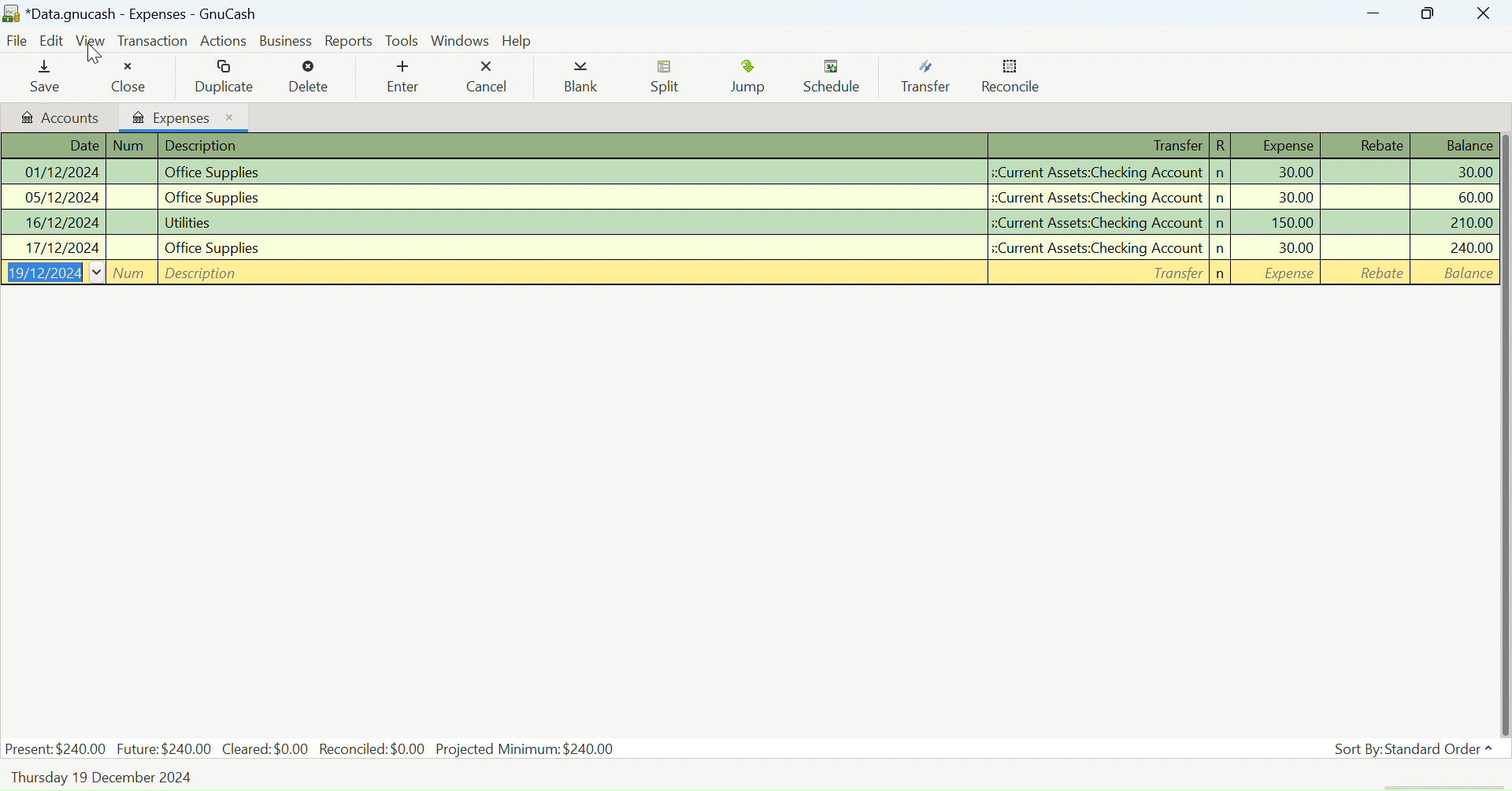 The image size is (1512, 791). I want to click on Transactions Column Headings, so click(747, 147).